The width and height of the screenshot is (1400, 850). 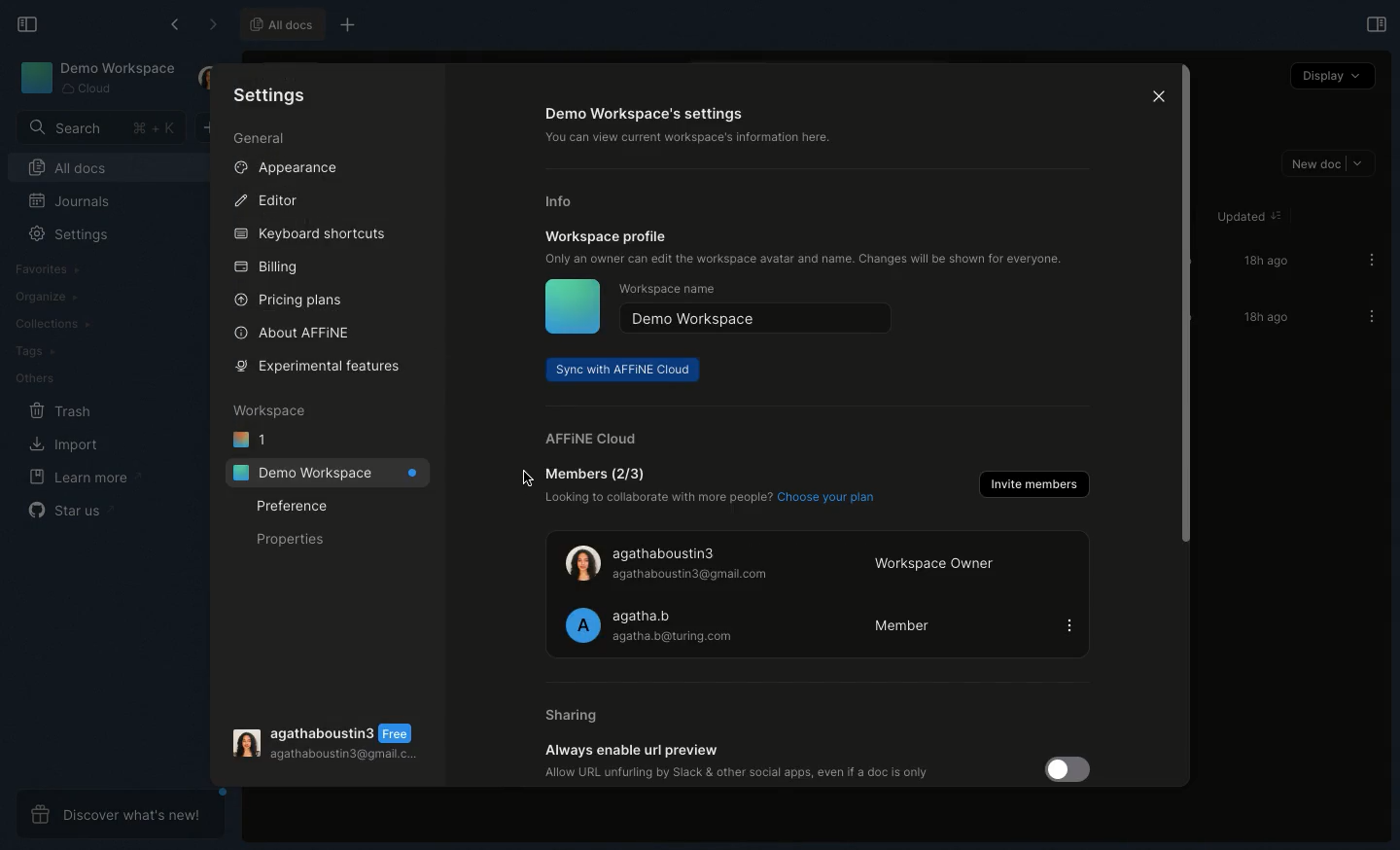 I want to click on Invite members, so click(x=1032, y=484).